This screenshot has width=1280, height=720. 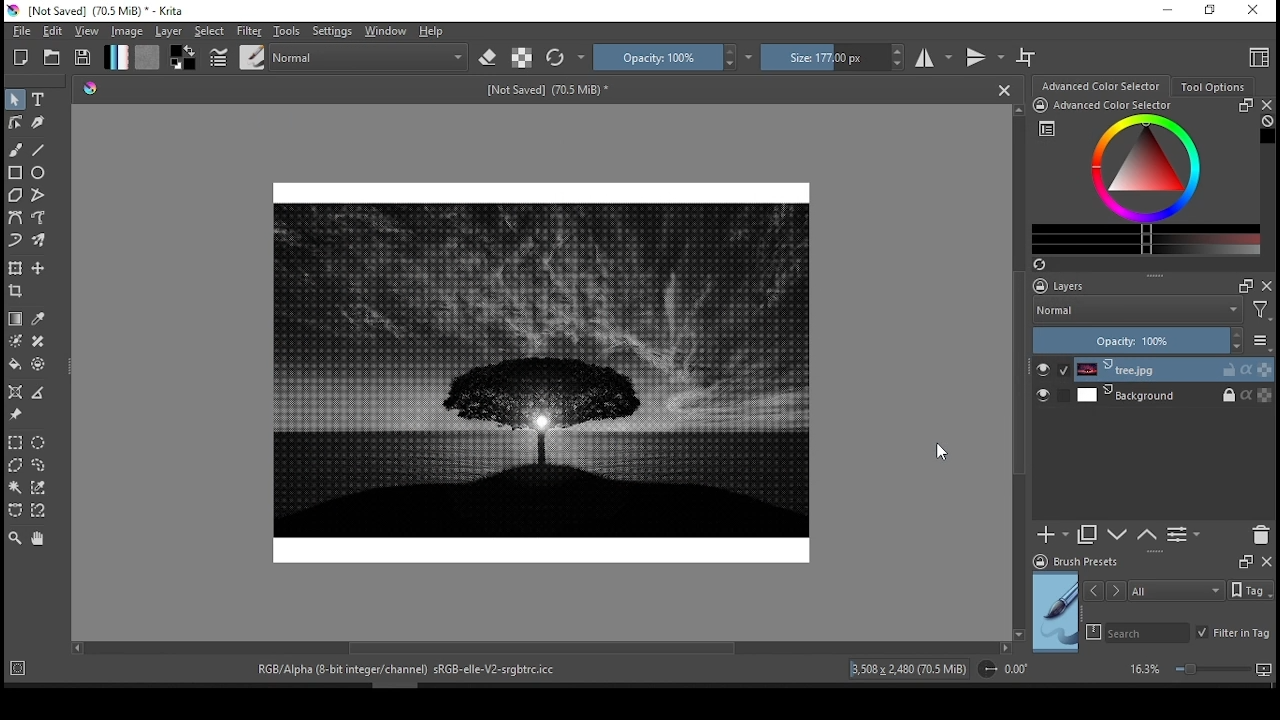 What do you see at coordinates (84, 57) in the screenshot?
I see `save` at bounding box center [84, 57].